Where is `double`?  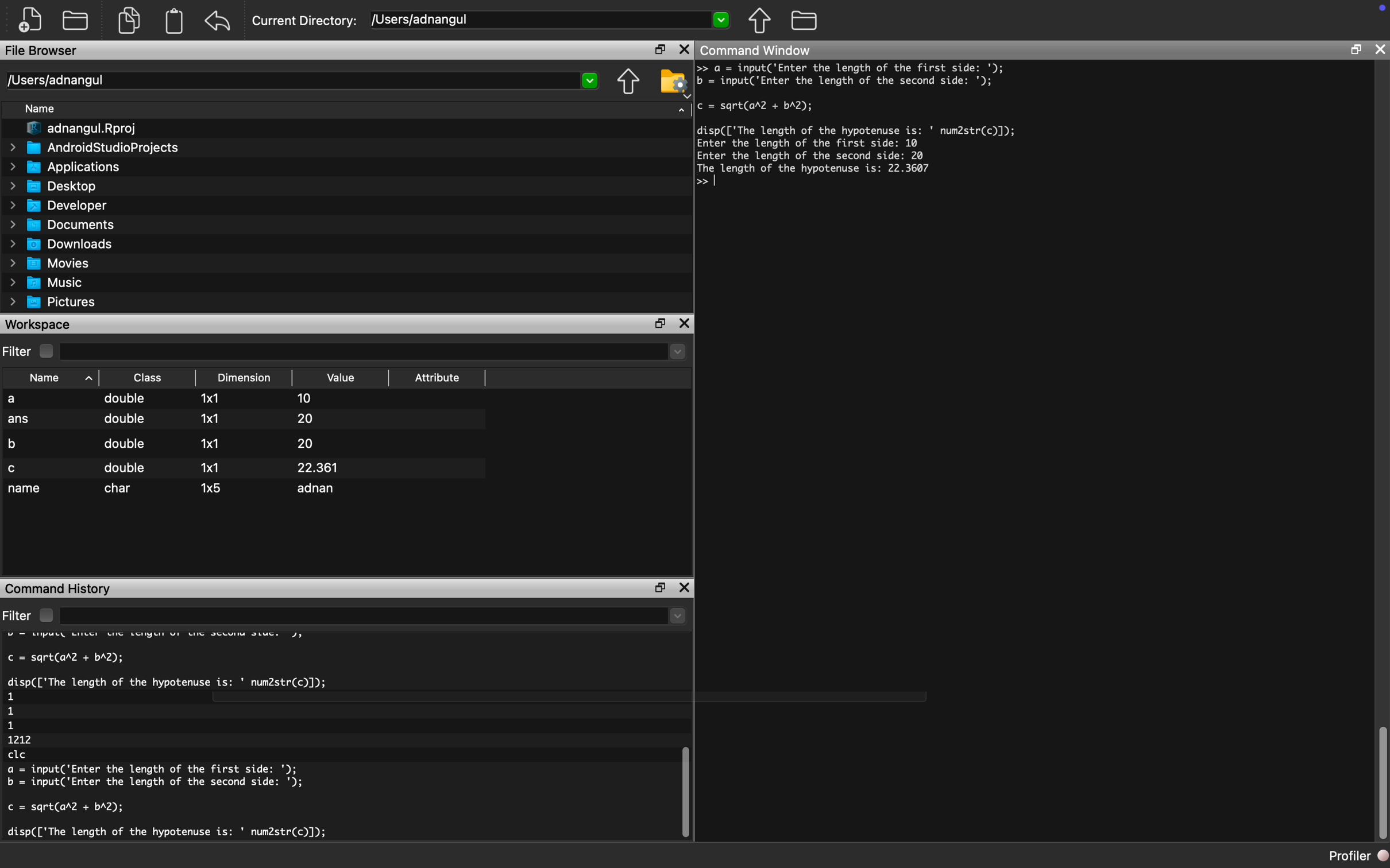
double is located at coordinates (123, 423).